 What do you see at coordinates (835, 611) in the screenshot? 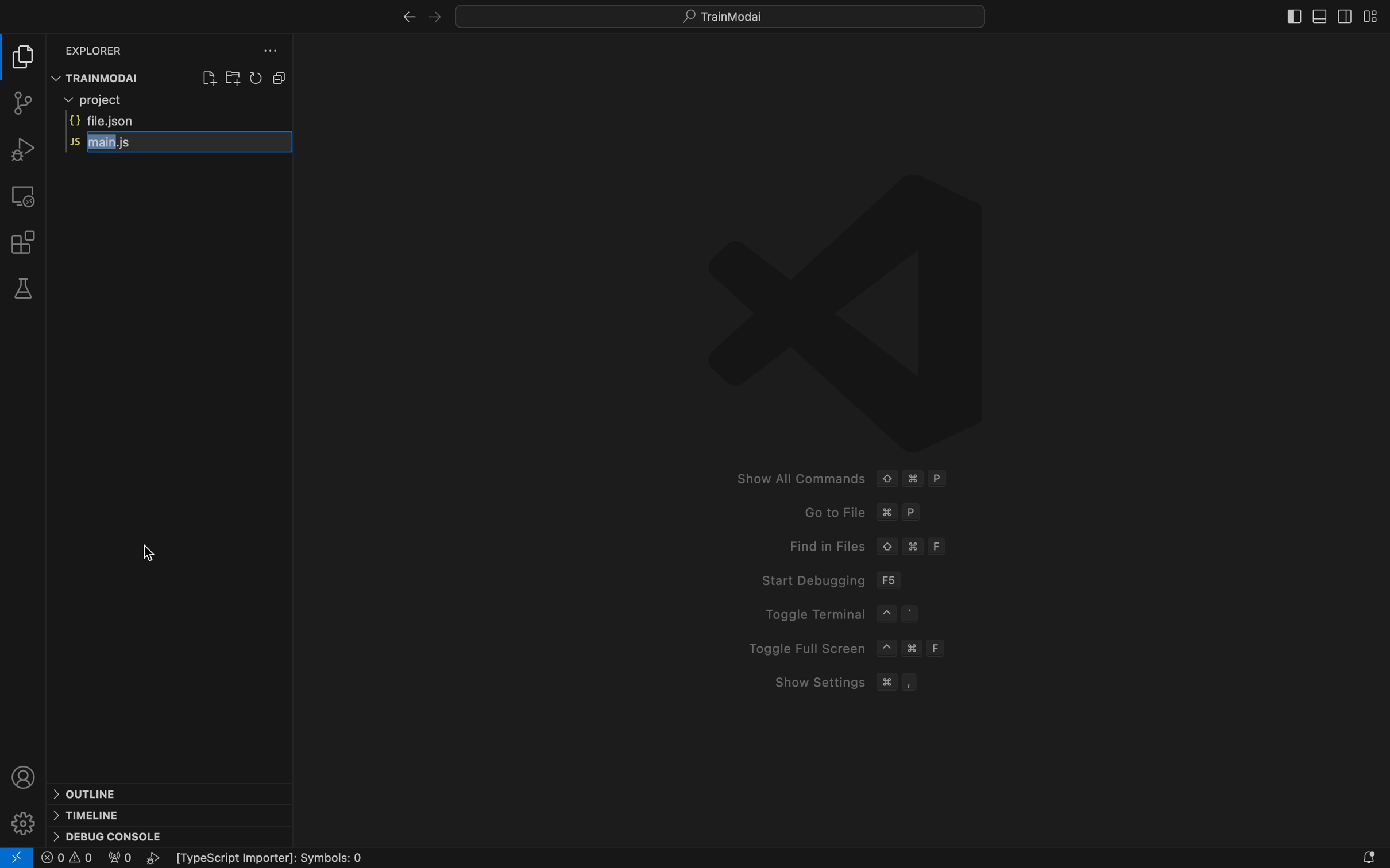
I see `Toggle Terminal` at bounding box center [835, 611].